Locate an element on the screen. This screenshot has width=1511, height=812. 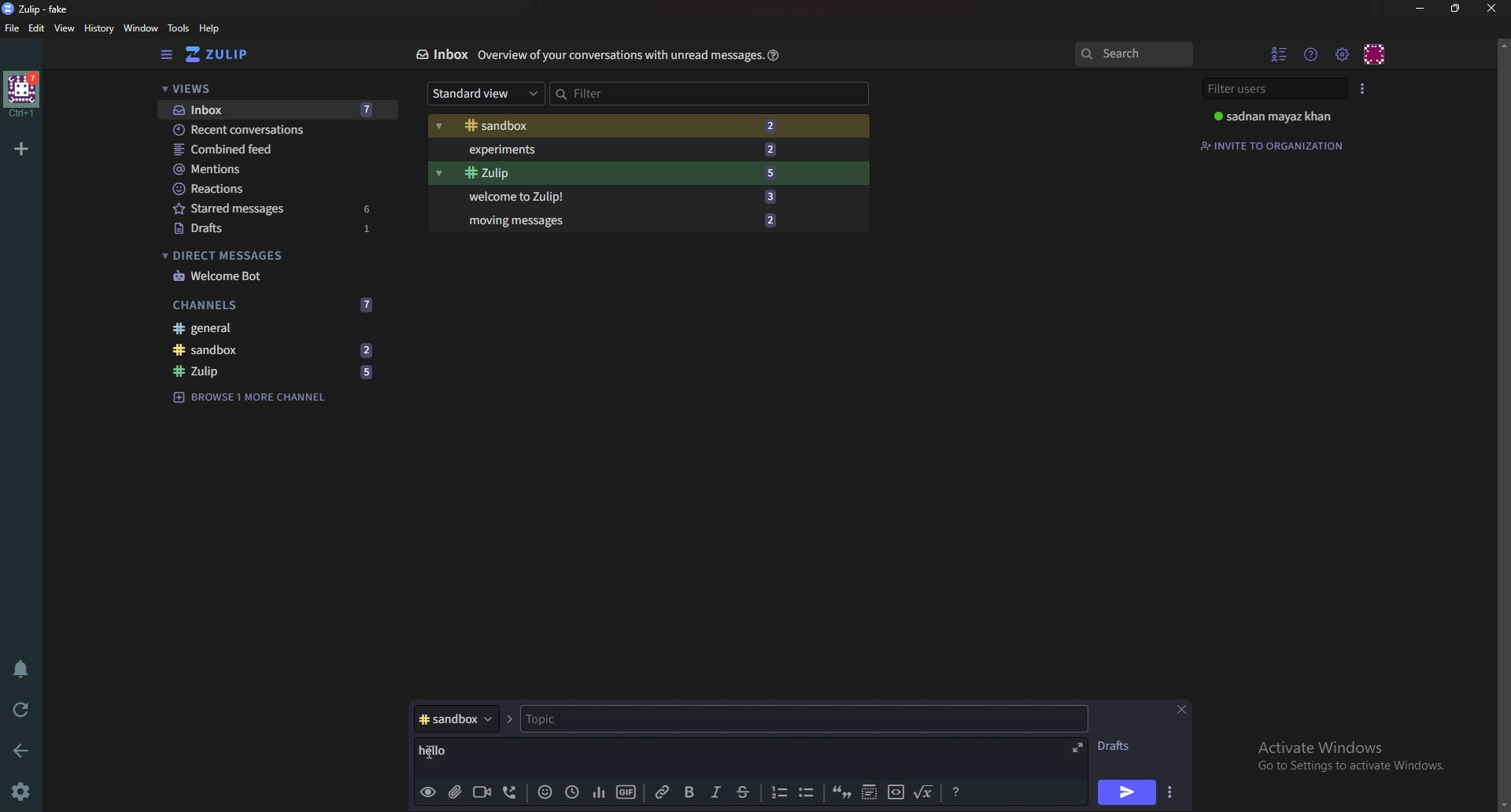
Help menu is located at coordinates (1313, 54).